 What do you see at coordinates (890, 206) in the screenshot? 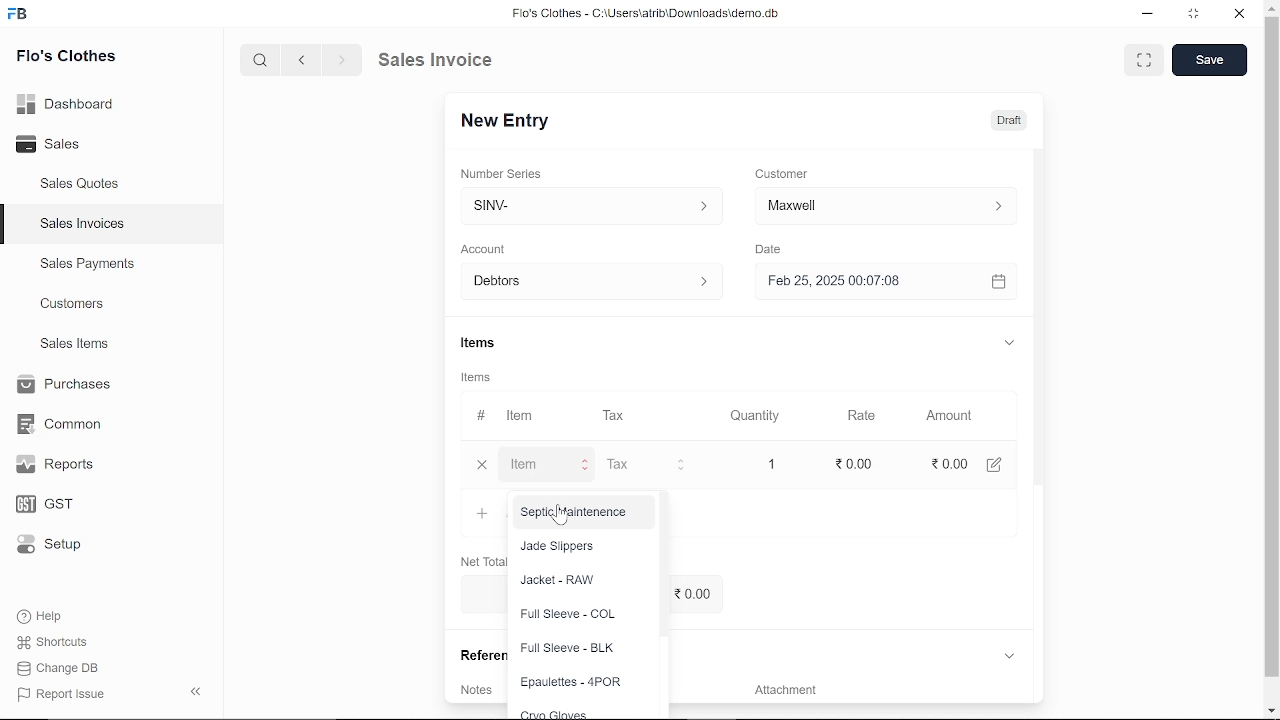
I see `Insert Customer` at bounding box center [890, 206].